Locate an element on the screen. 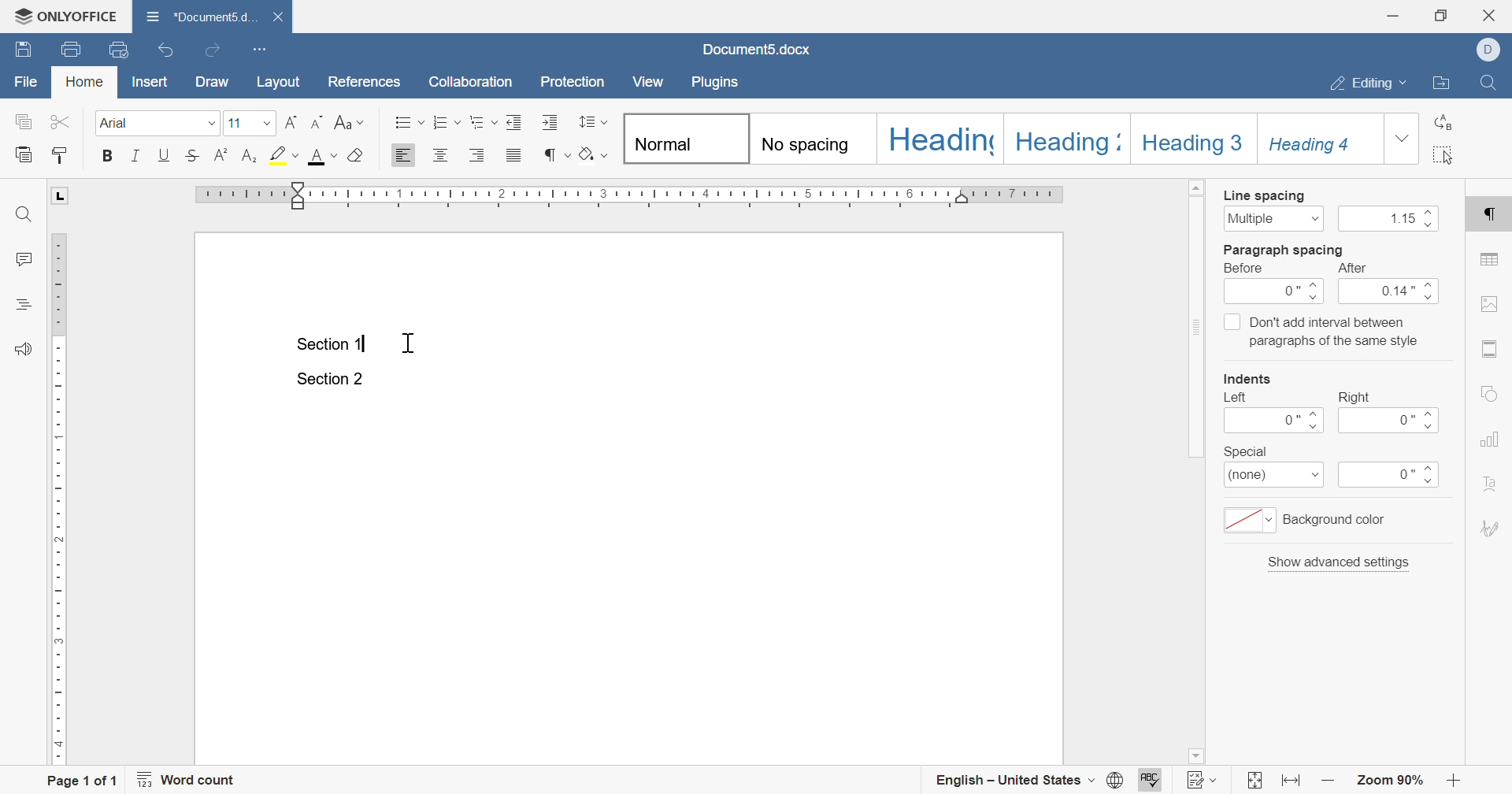 The width and height of the screenshot is (1512, 794). track changes is located at coordinates (1203, 779).